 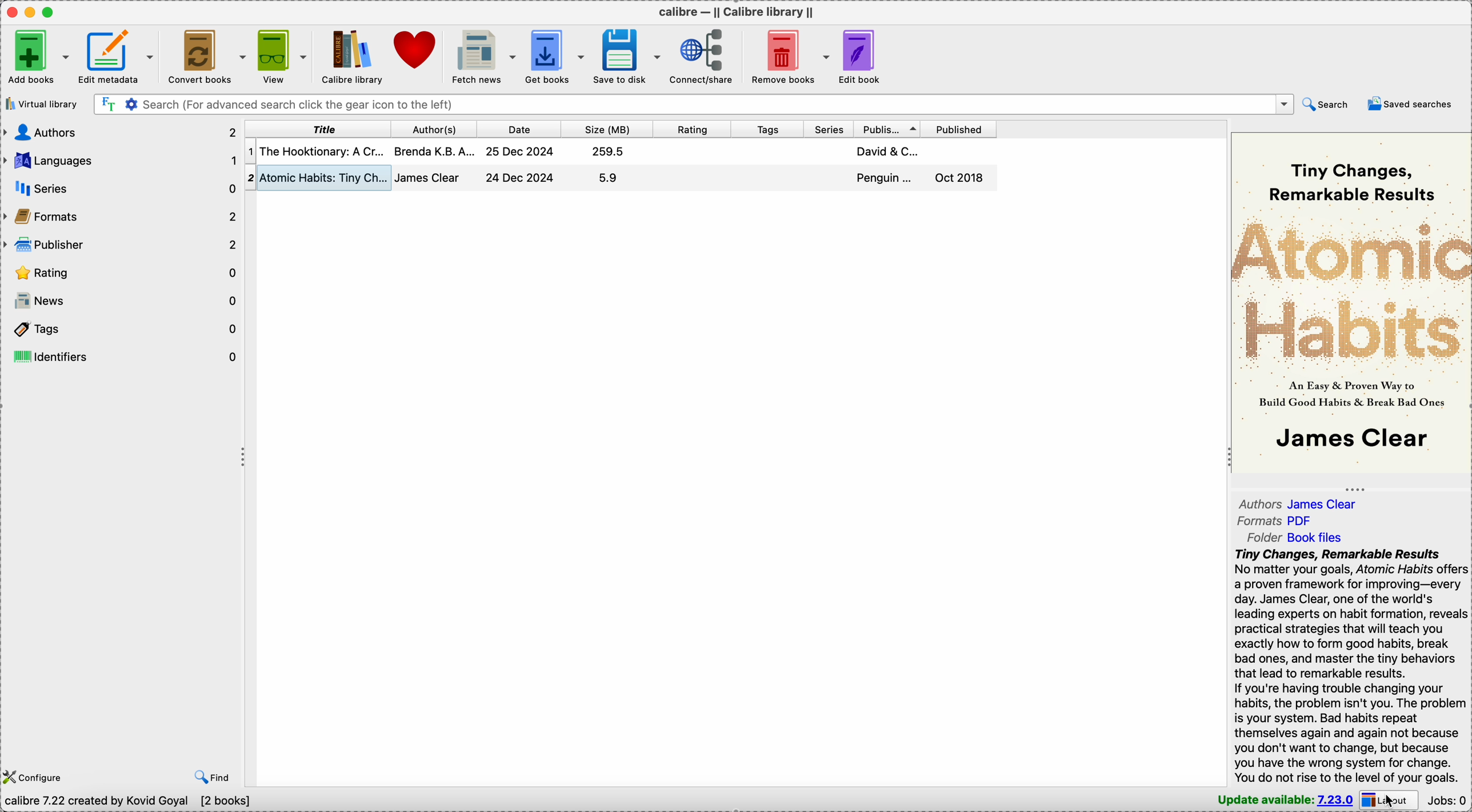 I want to click on virtual library, so click(x=39, y=107).